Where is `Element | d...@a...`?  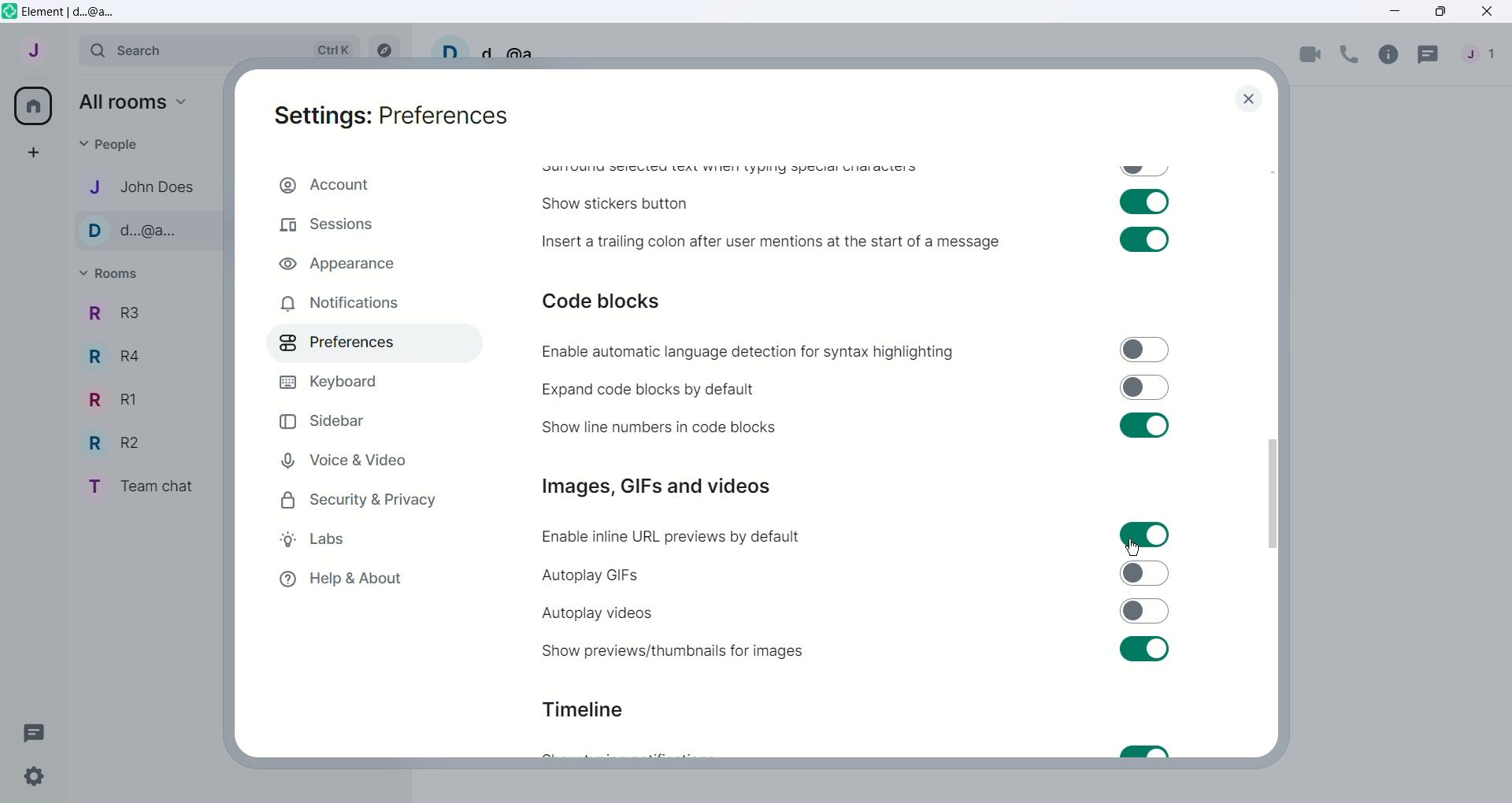
Element | d...@a... is located at coordinates (72, 13).